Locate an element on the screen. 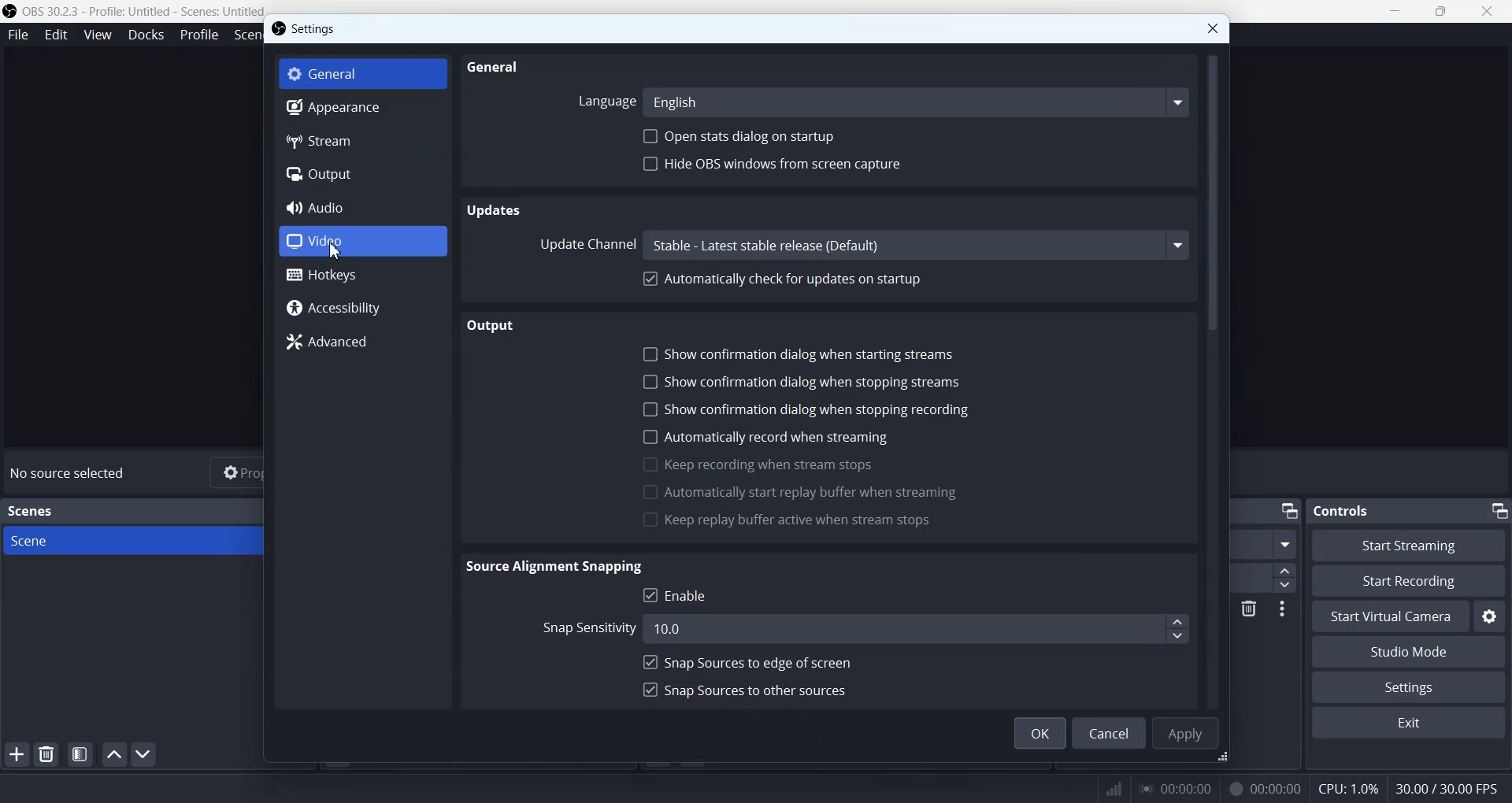 Image resolution: width=1512 pixels, height=803 pixels. Open scene filter is located at coordinates (80, 754).